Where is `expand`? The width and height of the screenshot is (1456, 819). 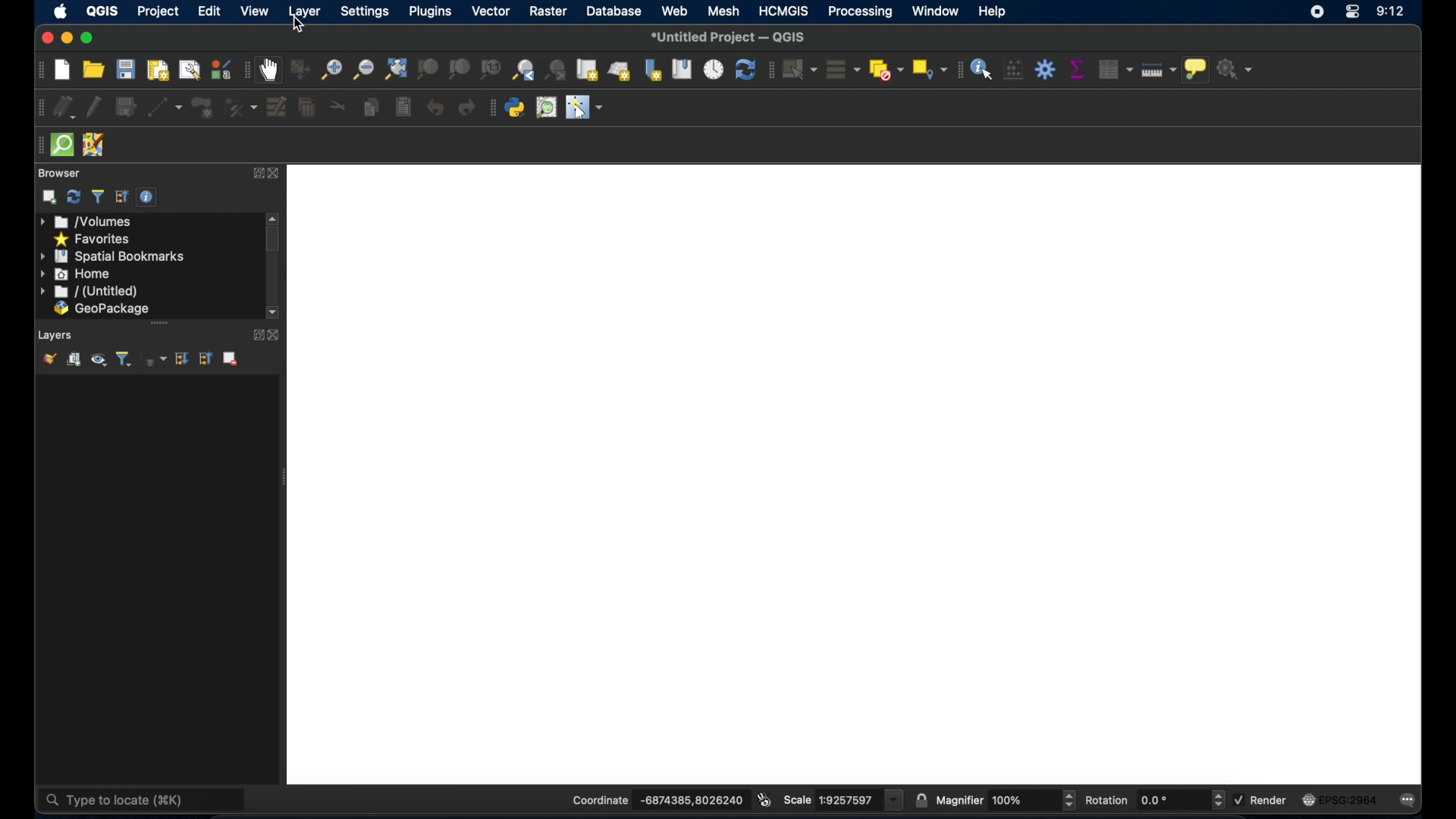
expand is located at coordinates (256, 334).